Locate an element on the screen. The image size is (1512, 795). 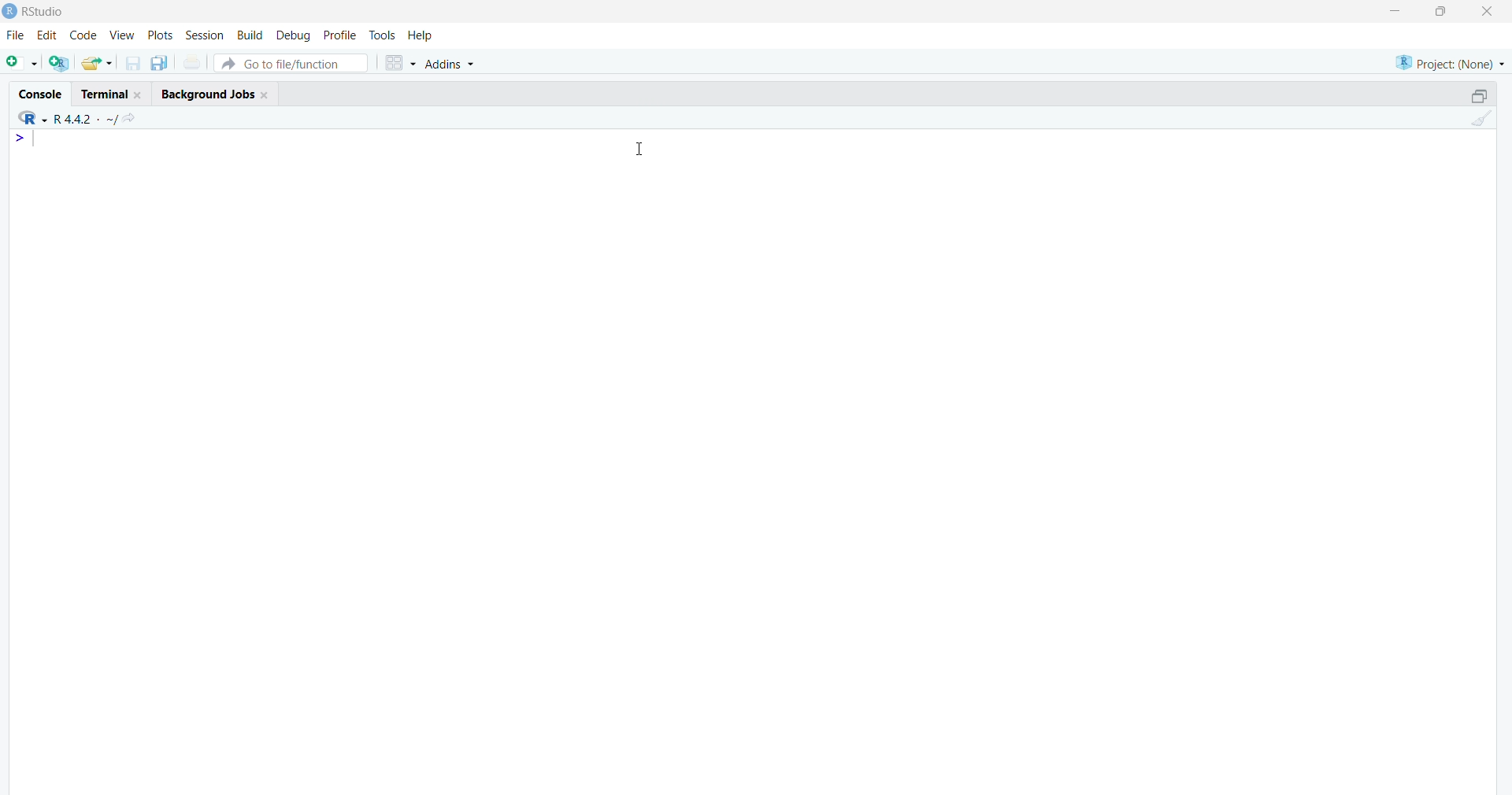
save all open documents is located at coordinates (158, 63).